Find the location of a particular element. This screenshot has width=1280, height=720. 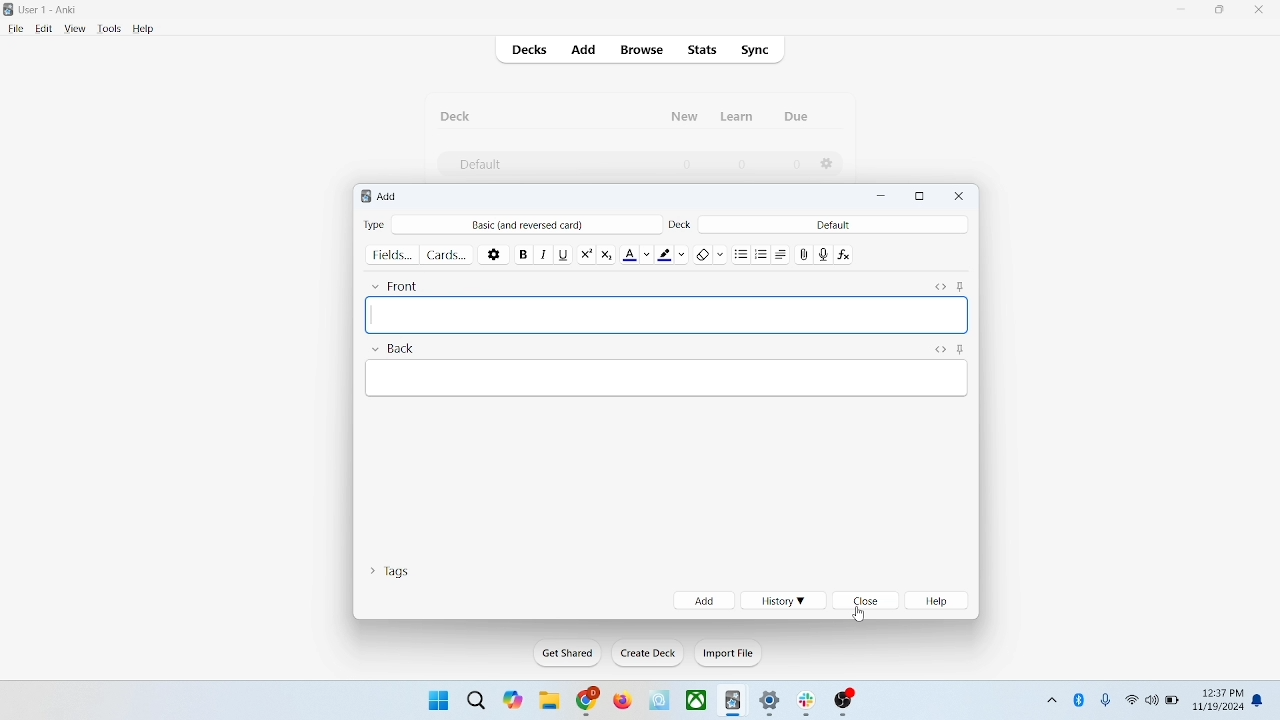

chrome is located at coordinates (588, 701).